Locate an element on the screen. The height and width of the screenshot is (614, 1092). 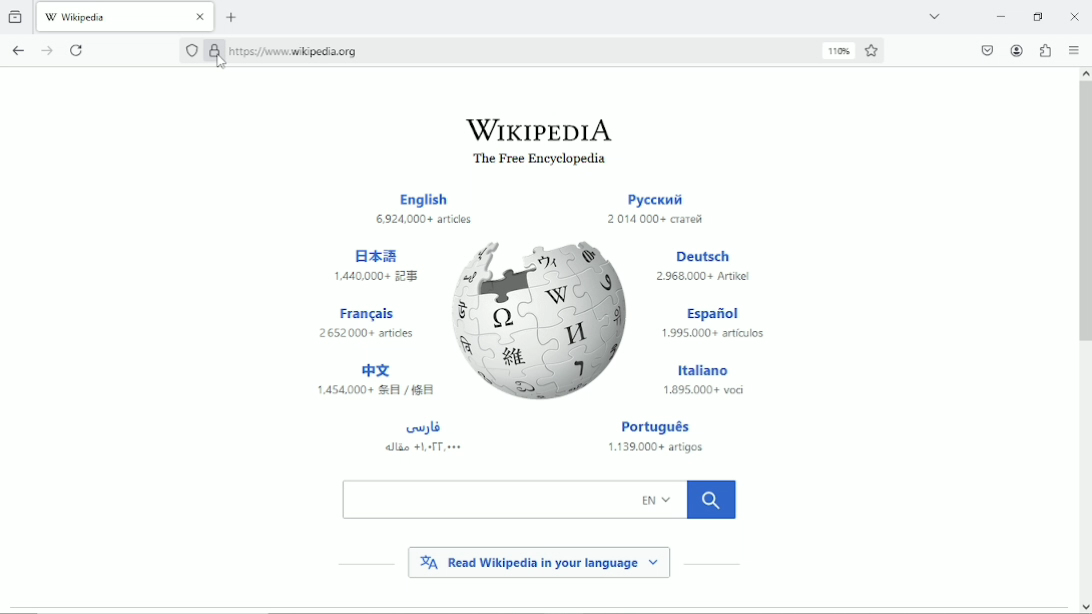
Deutsch2968.000+ Artikel is located at coordinates (703, 266).